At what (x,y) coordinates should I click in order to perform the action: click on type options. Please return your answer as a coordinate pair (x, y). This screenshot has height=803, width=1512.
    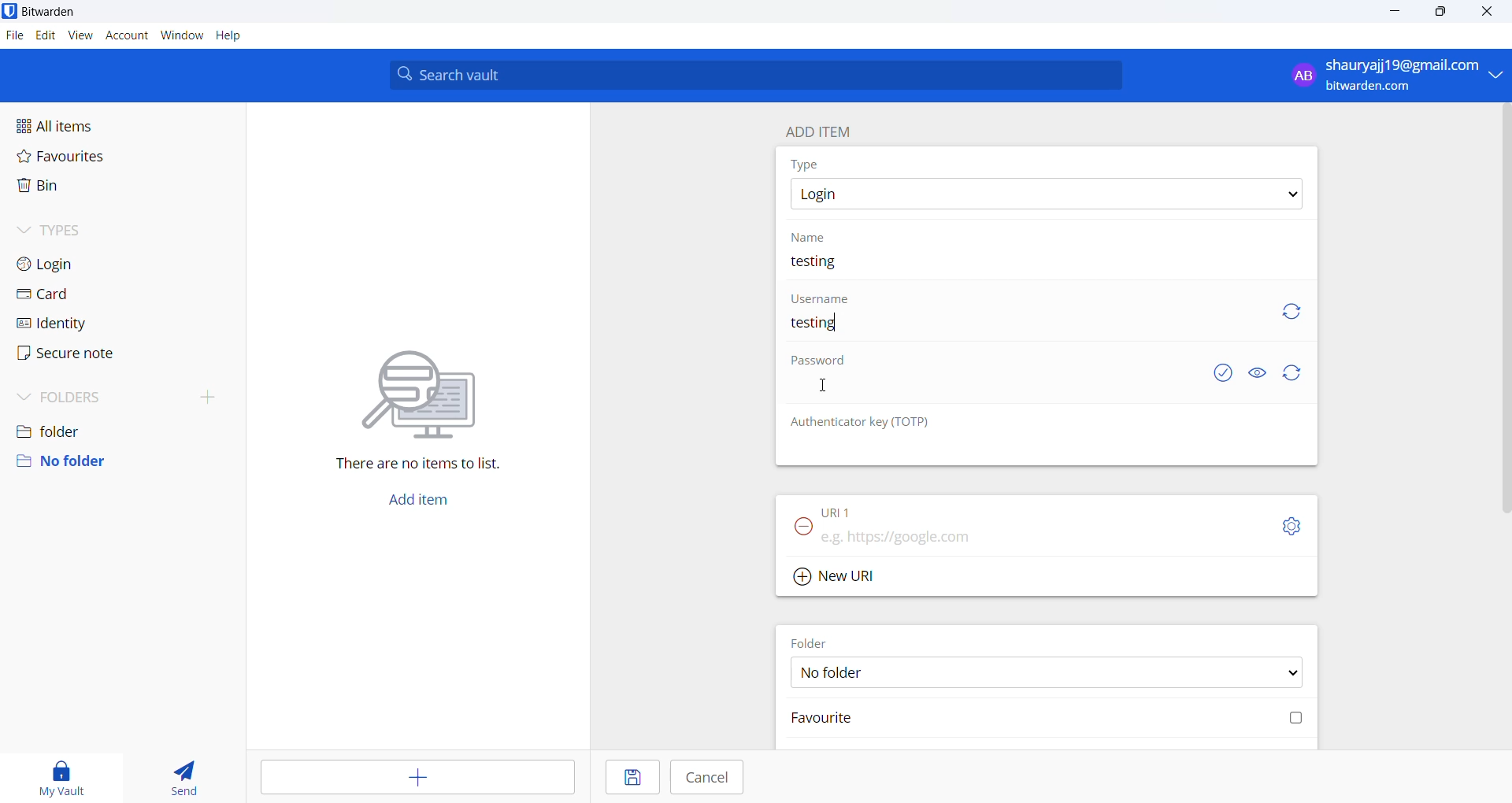
    Looking at the image, I should click on (1045, 194).